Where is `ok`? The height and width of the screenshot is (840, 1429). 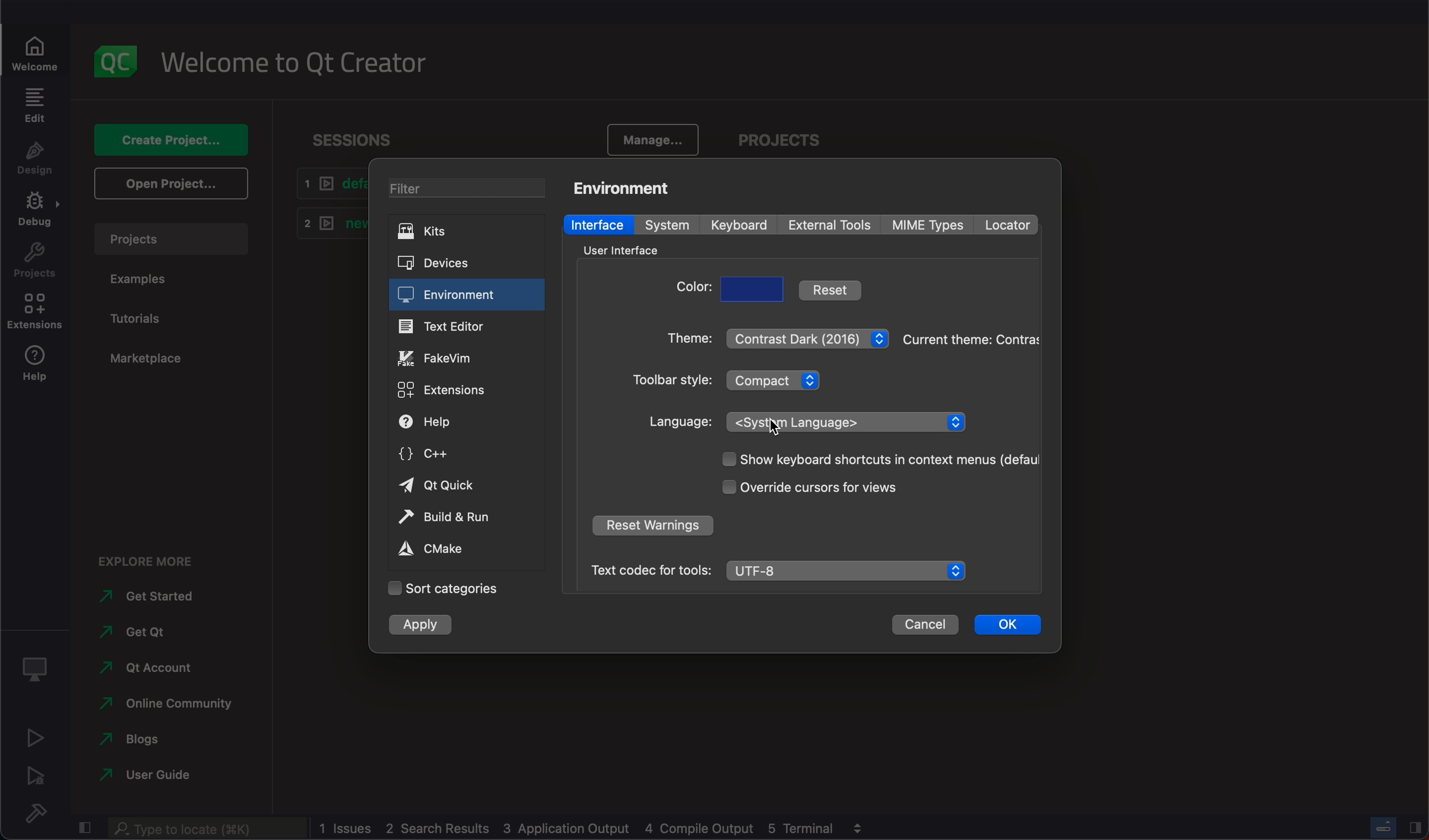 ok is located at coordinates (1009, 626).